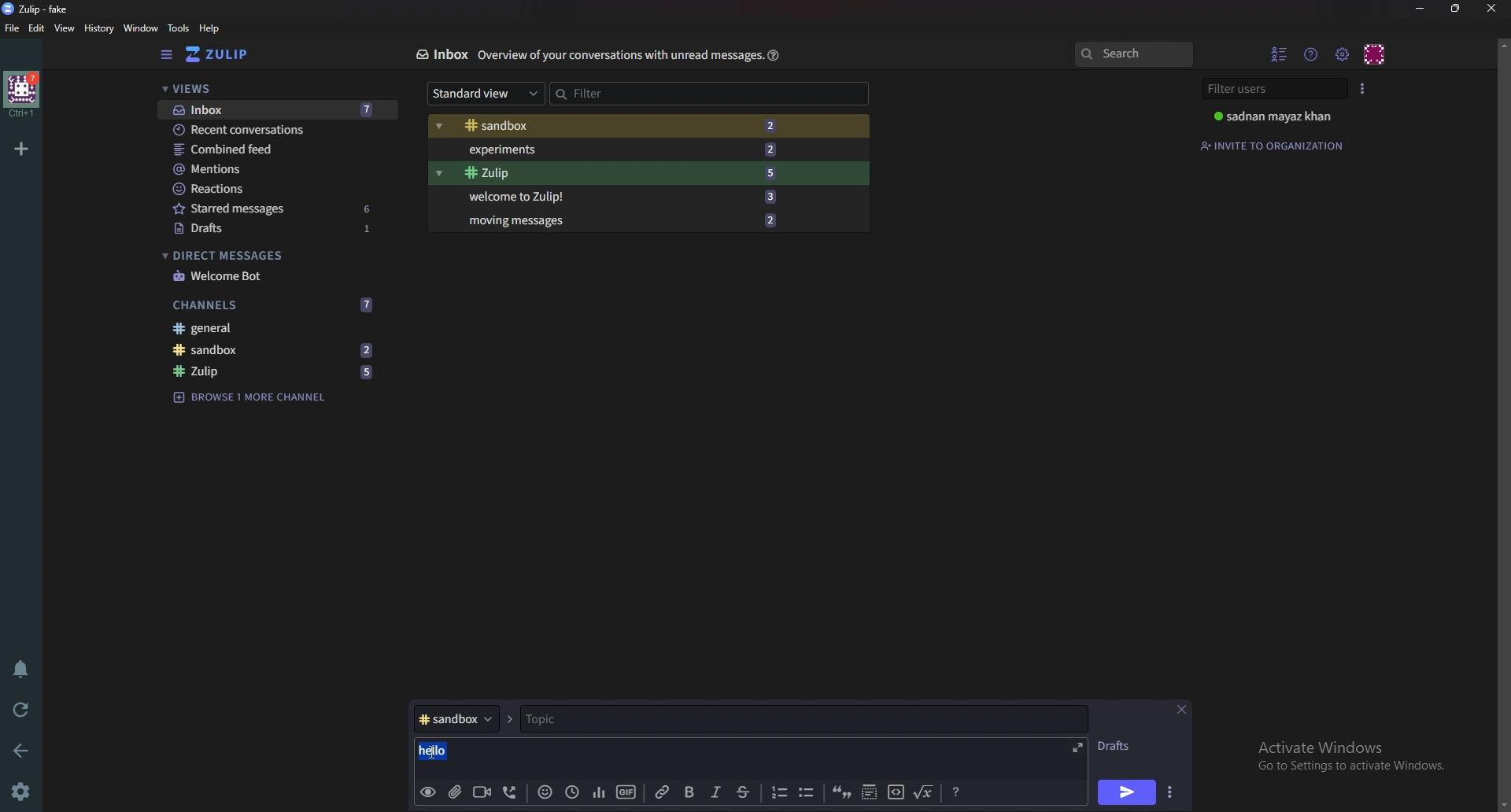  I want to click on Browse 1 more channel, so click(254, 397).